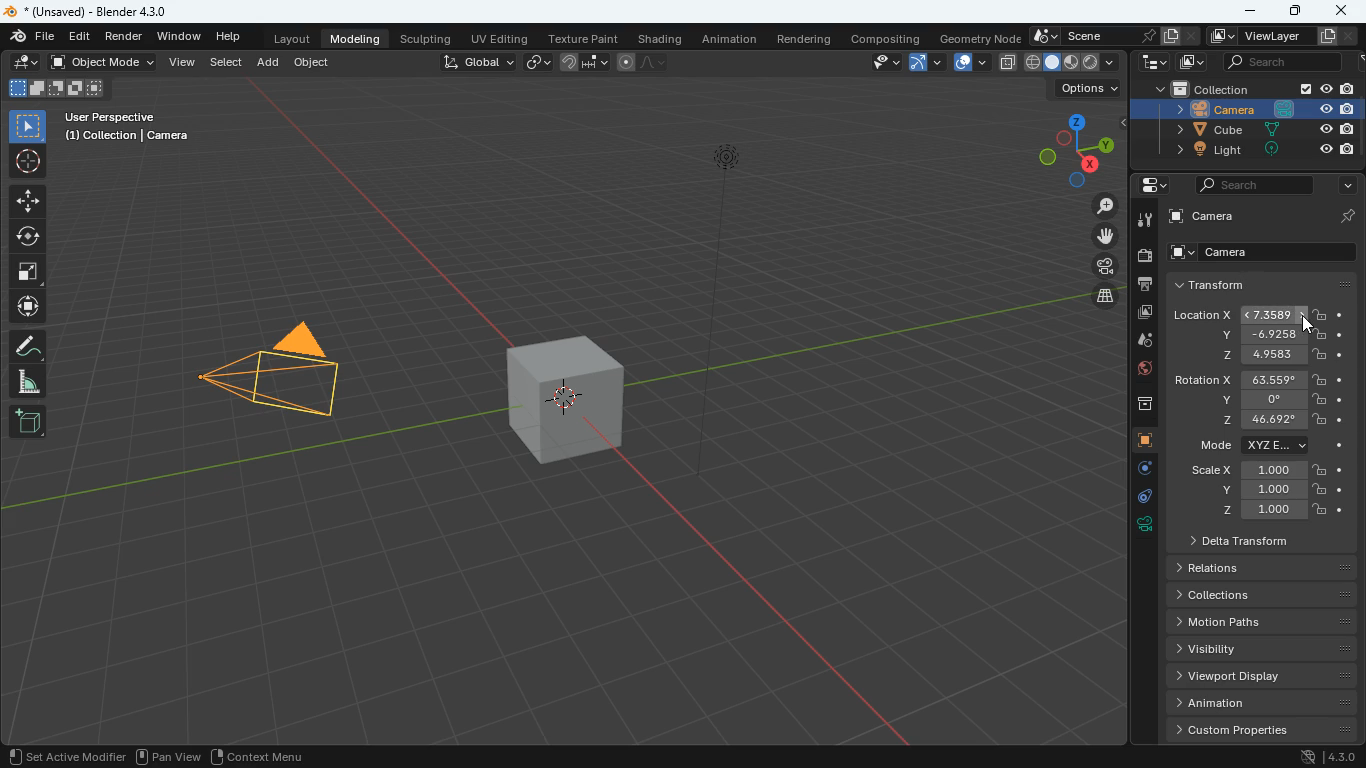  Describe the element at coordinates (971, 62) in the screenshot. I see `layout` at that location.